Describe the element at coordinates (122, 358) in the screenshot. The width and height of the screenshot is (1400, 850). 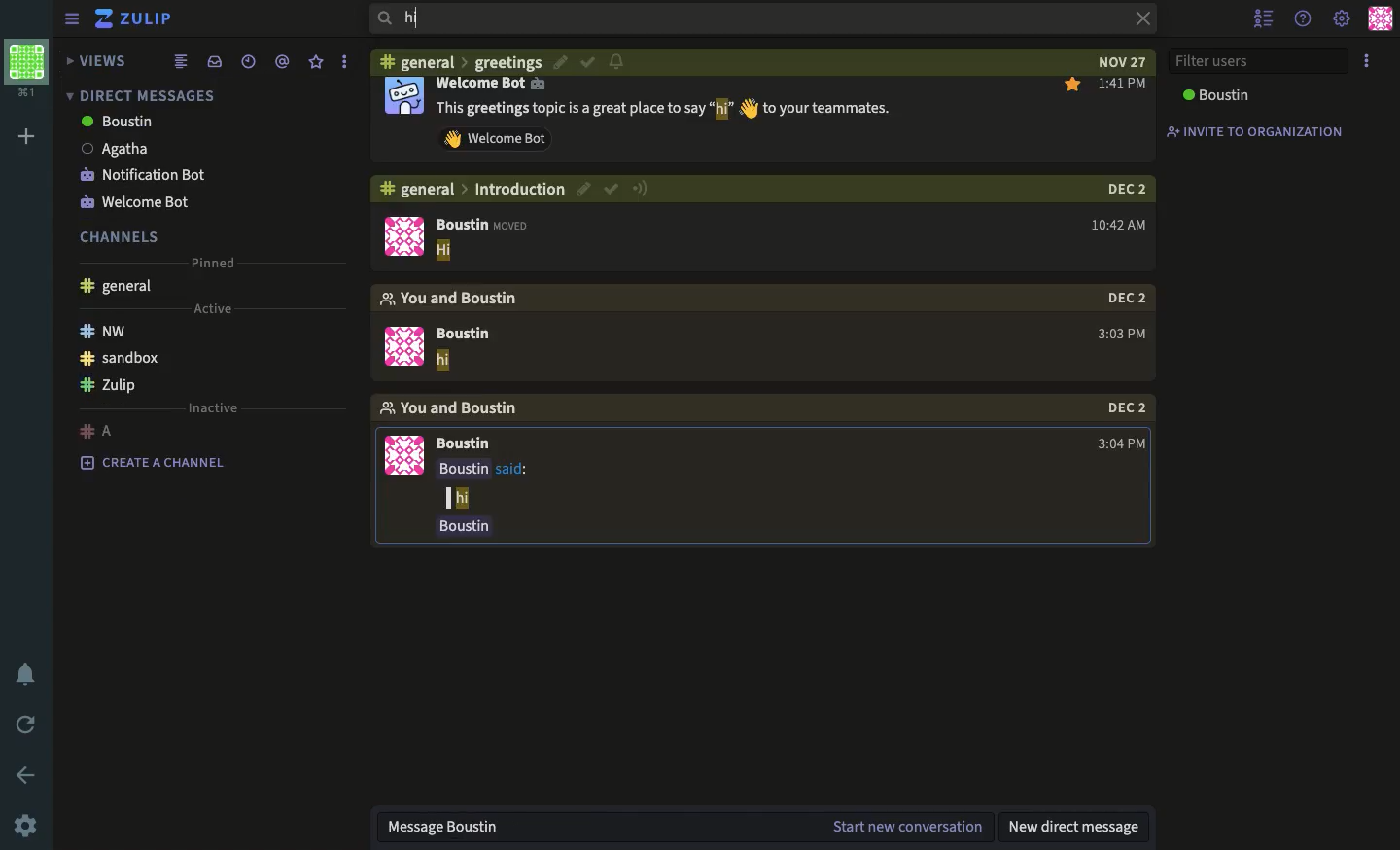
I see `sandbox` at that location.